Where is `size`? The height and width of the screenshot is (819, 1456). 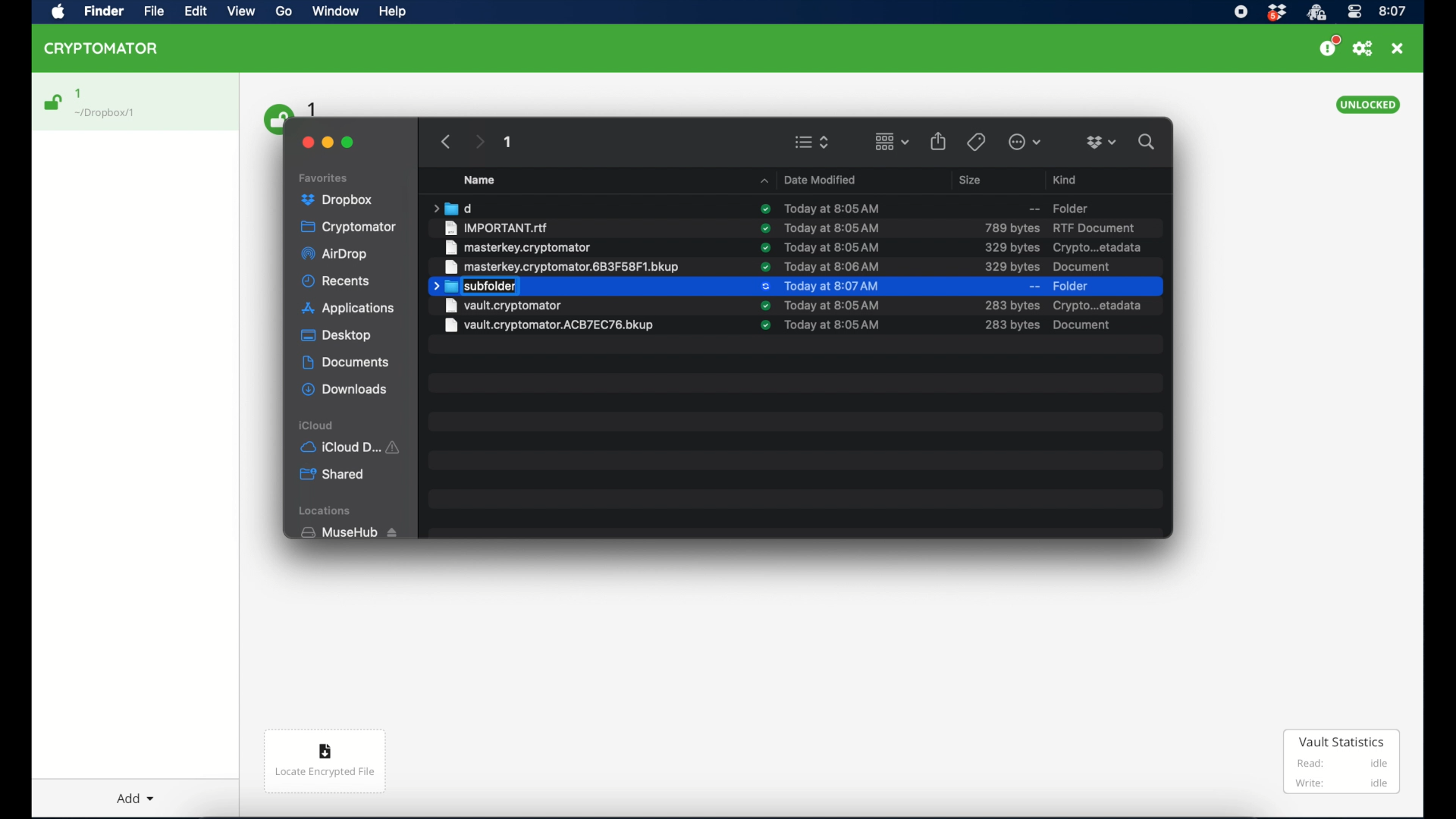
size is located at coordinates (1009, 266).